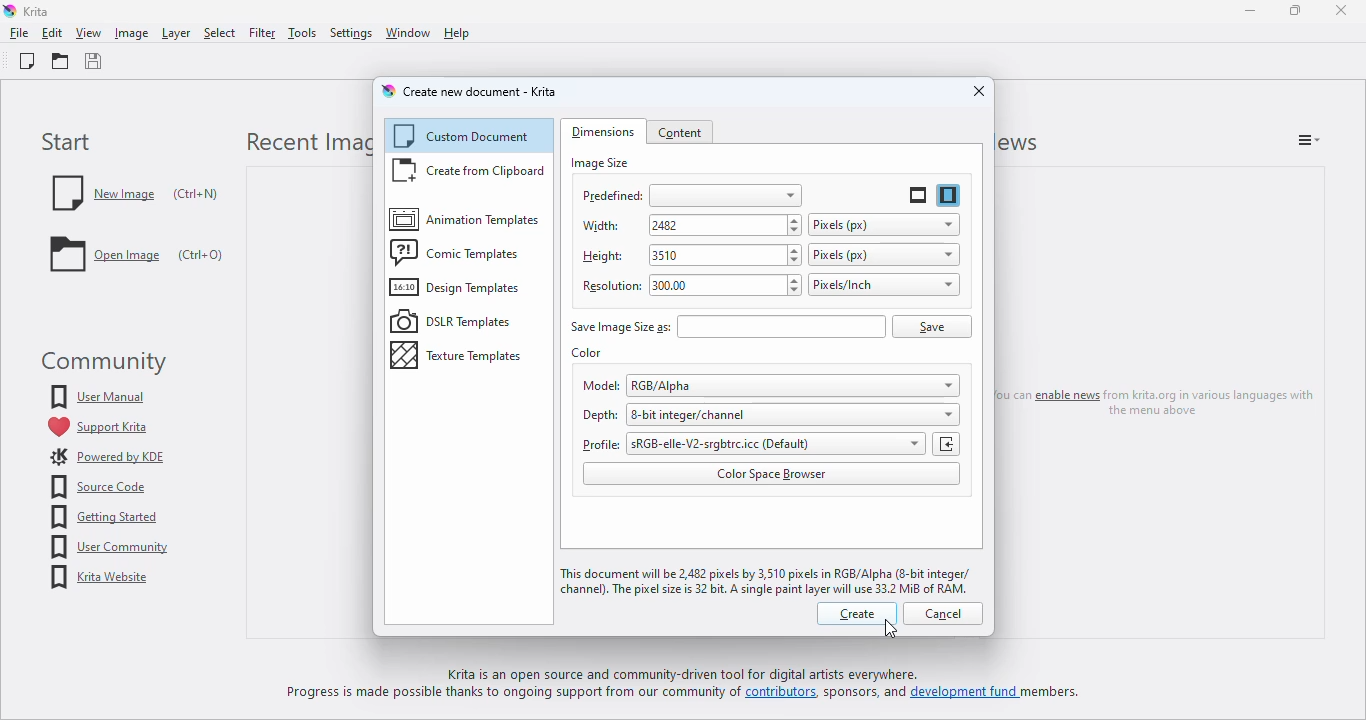 This screenshot has height=720, width=1366. What do you see at coordinates (1057, 696) in the screenshot?
I see `members.` at bounding box center [1057, 696].